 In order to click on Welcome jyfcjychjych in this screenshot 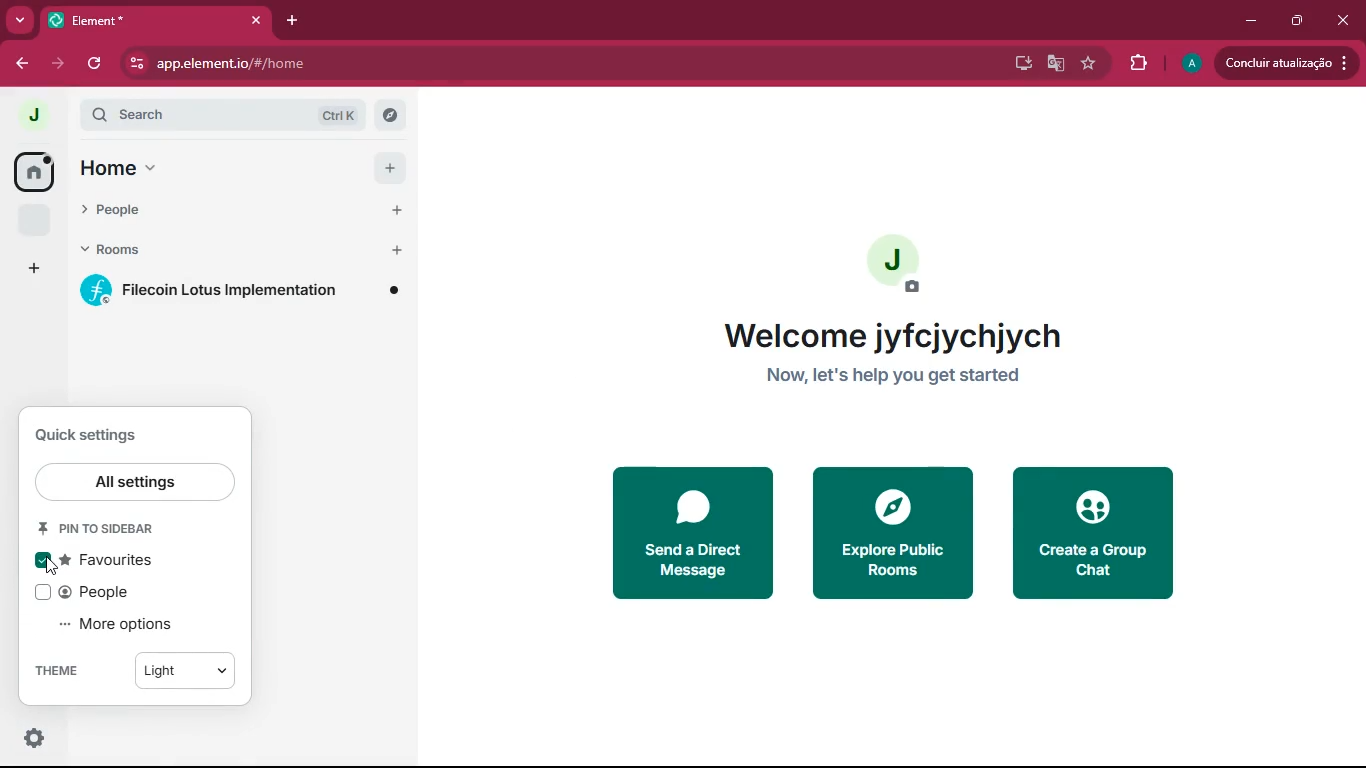, I will do `click(893, 335)`.